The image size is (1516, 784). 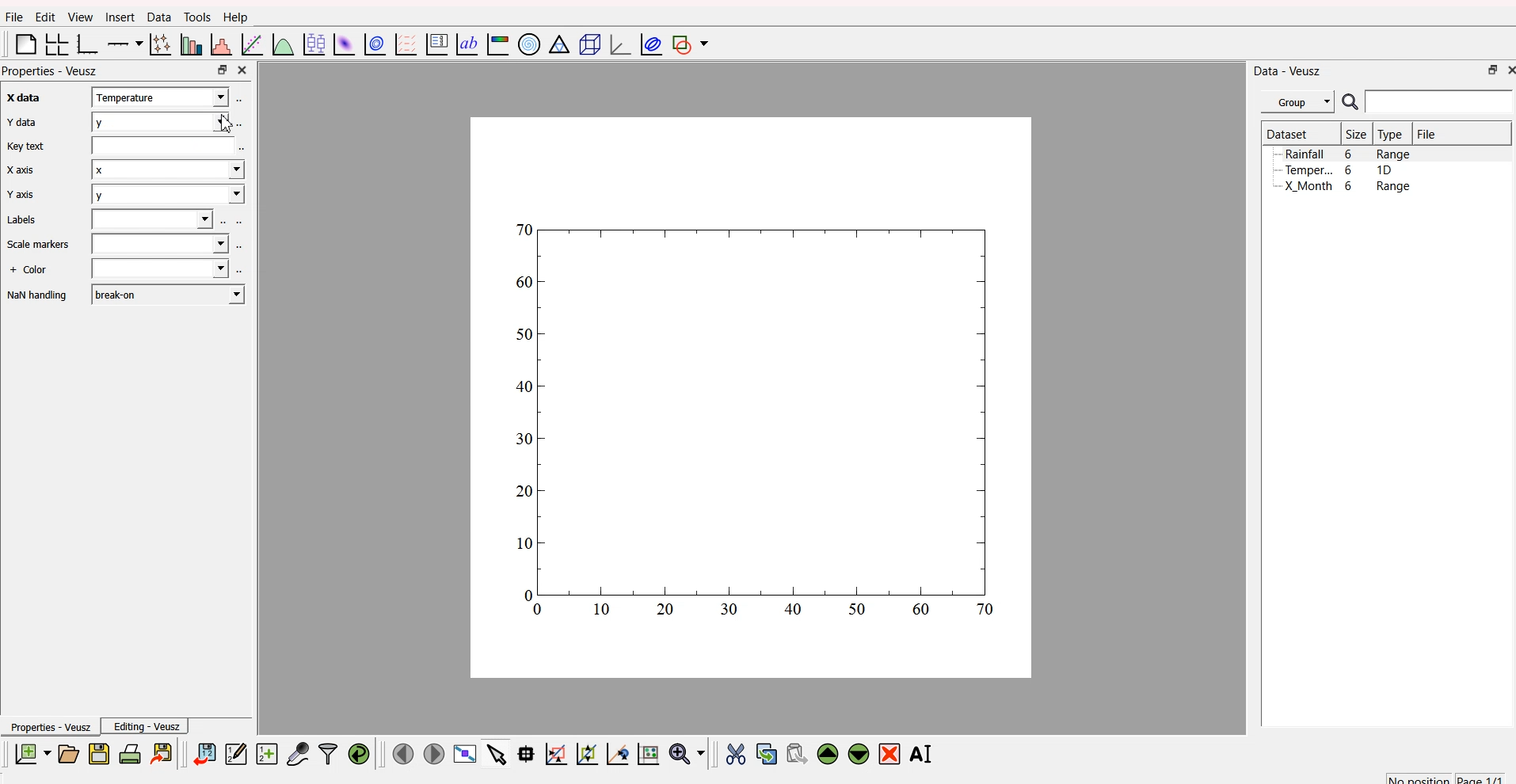 What do you see at coordinates (651, 752) in the screenshot?
I see `reset graph axes` at bounding box center [651, 752].